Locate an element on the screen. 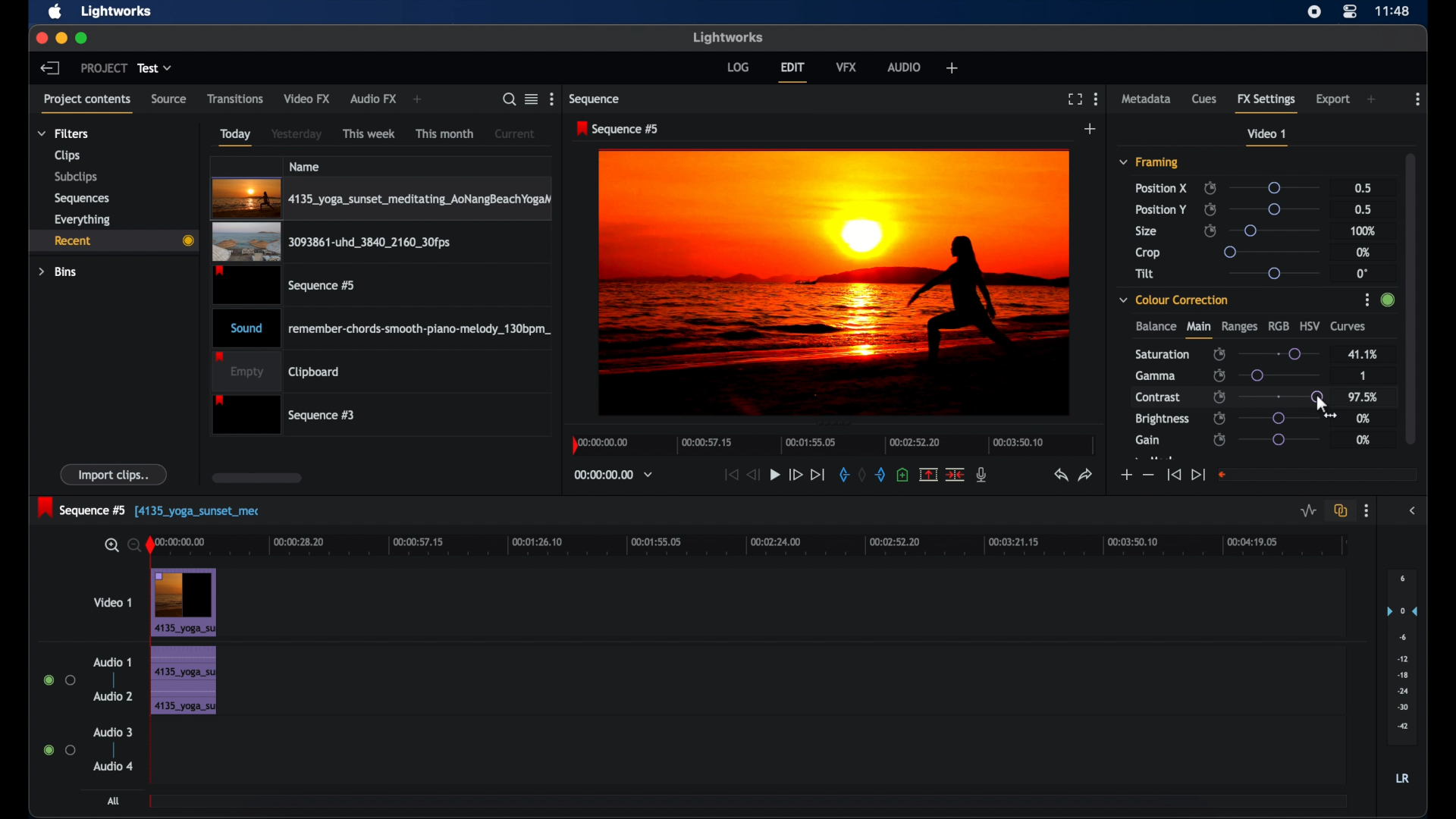 The width and height of the screenshot is (1456, 819). radio buttons is located at coordinates (59, 750).